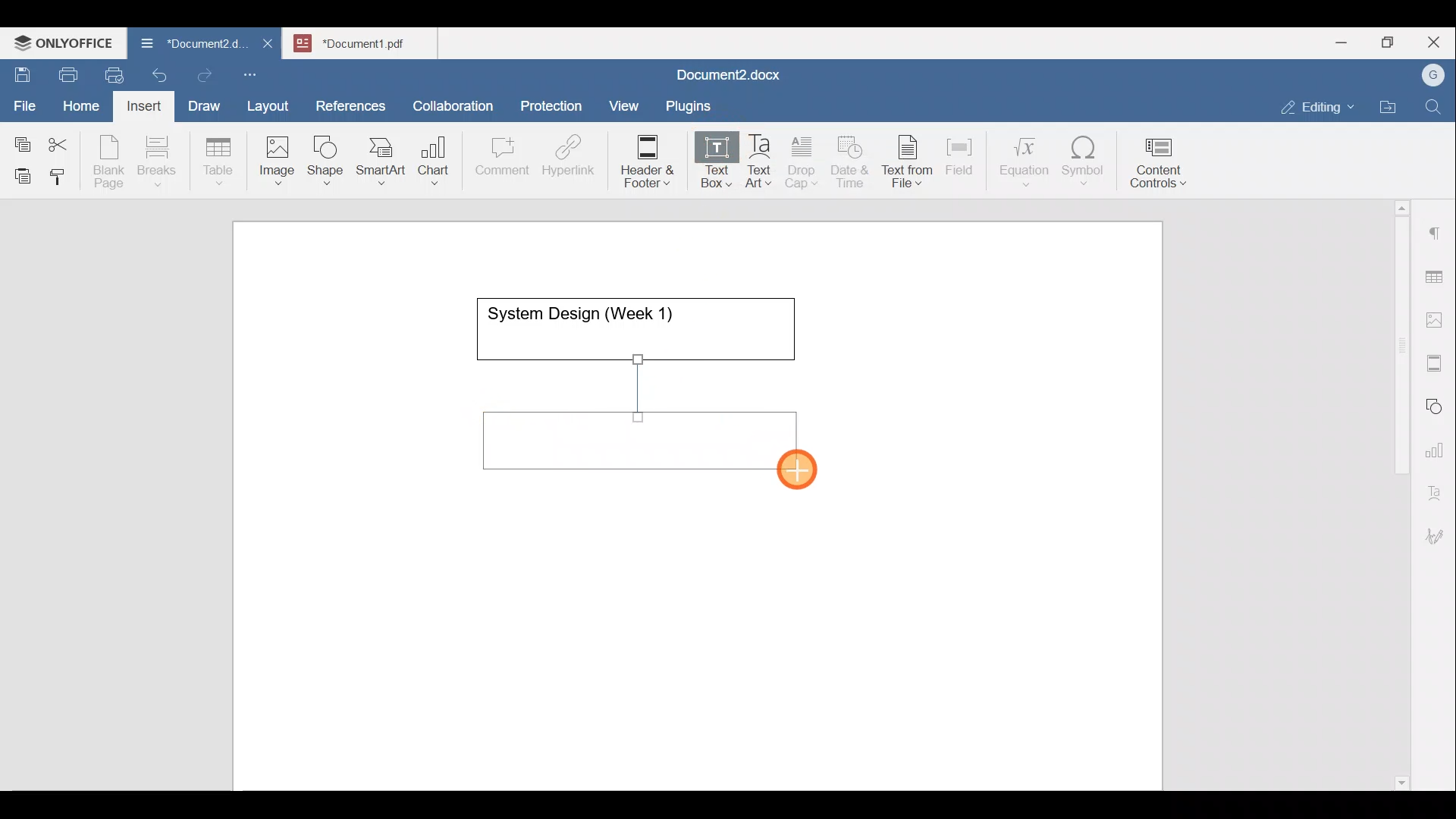 Image resolution: width=1456 pixels, height=819 pixels. What do you see at coordinates (1392, 42) in the screenshot?
I see `Maximize` at bounding box center [1392, 42].